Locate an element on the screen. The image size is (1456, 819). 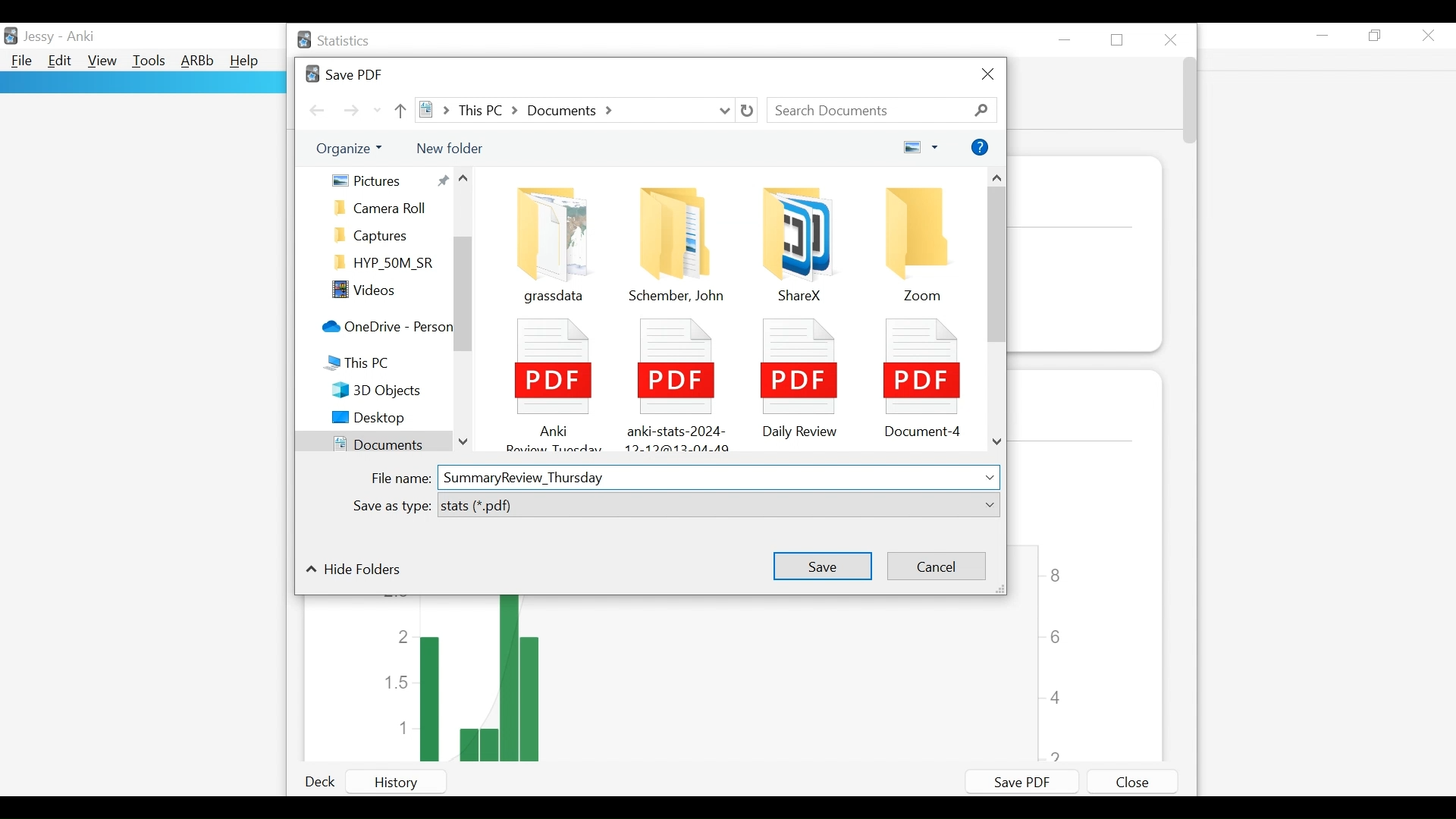
minimize is located at coordinates (1323, 35).